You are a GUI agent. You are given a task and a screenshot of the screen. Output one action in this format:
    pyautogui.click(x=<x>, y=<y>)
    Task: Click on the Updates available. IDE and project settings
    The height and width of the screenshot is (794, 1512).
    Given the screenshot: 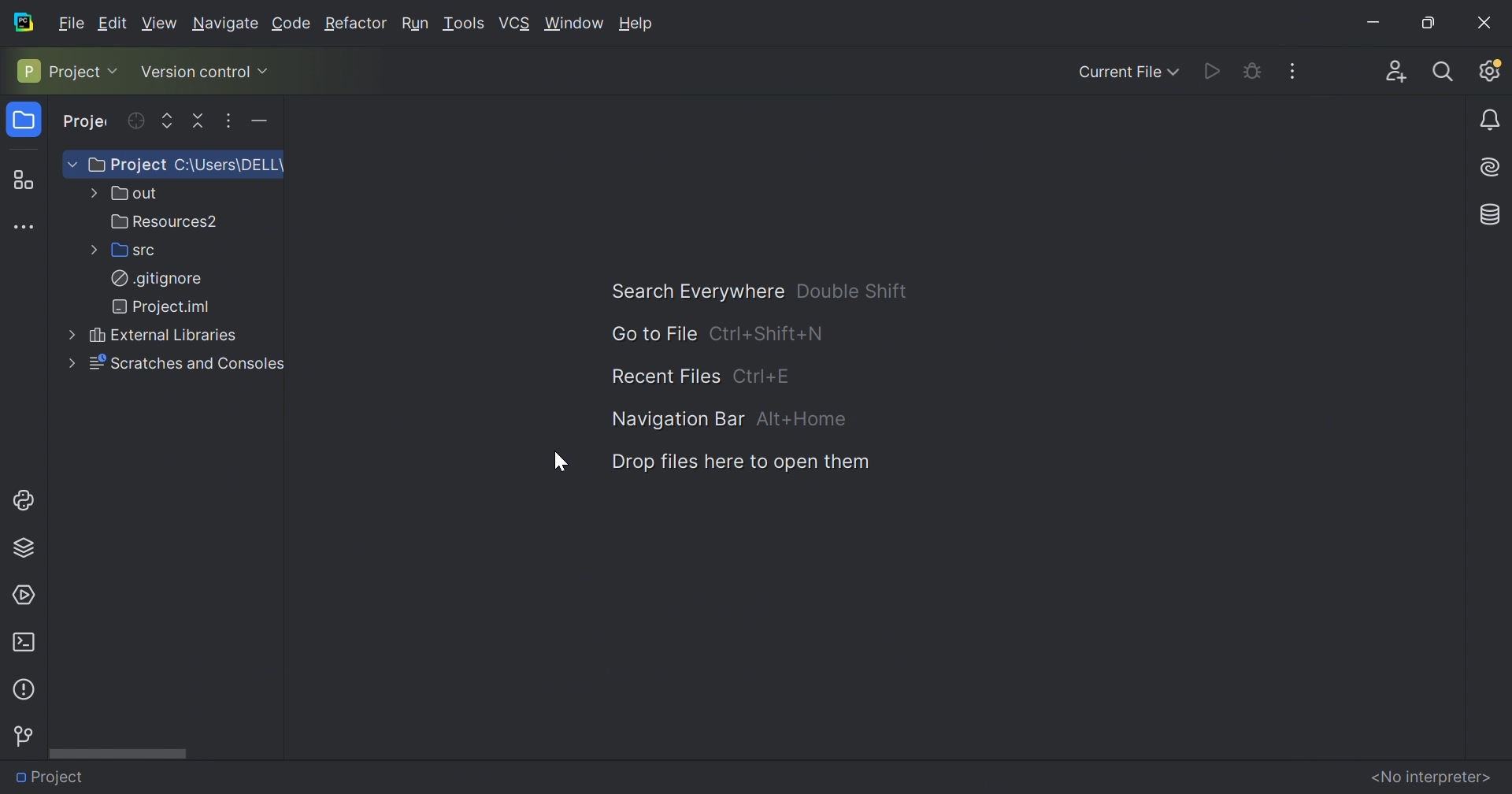 What is the action you would take?
    pyautogui.click(x=1490, y=70)
    